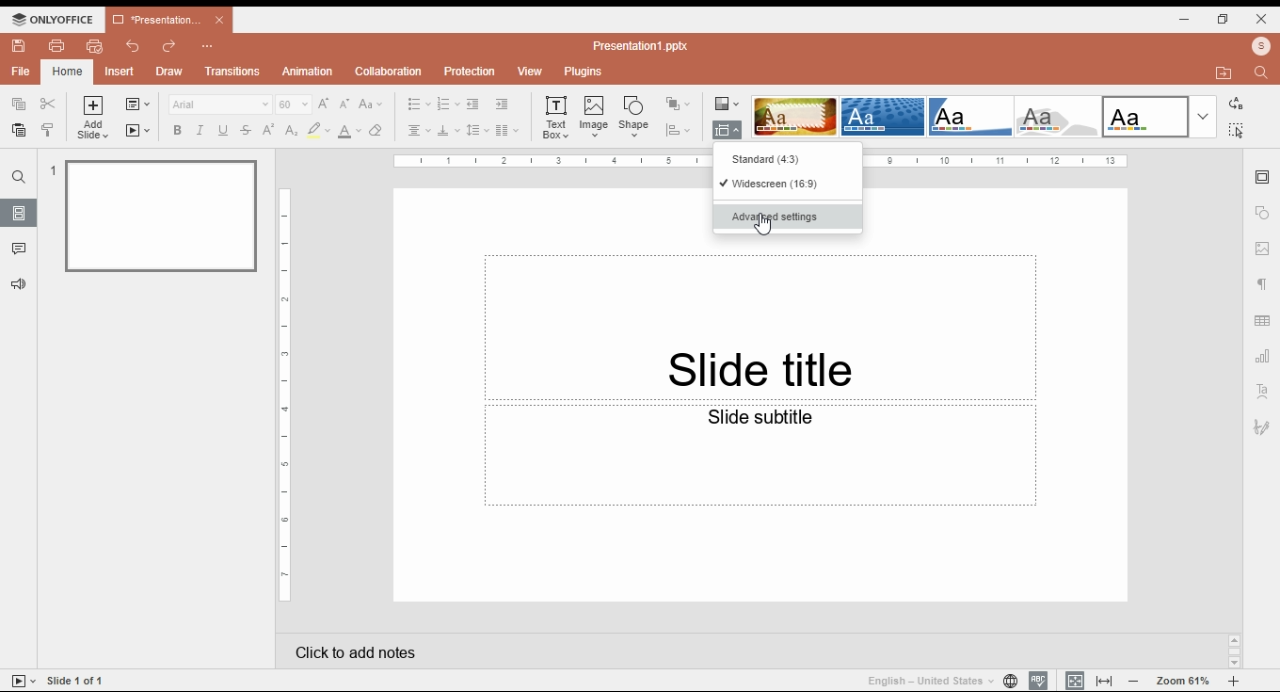 Image resolution: width=1280 pixels, height=692 pixels. I want to click on superscript, so click(269, 129).